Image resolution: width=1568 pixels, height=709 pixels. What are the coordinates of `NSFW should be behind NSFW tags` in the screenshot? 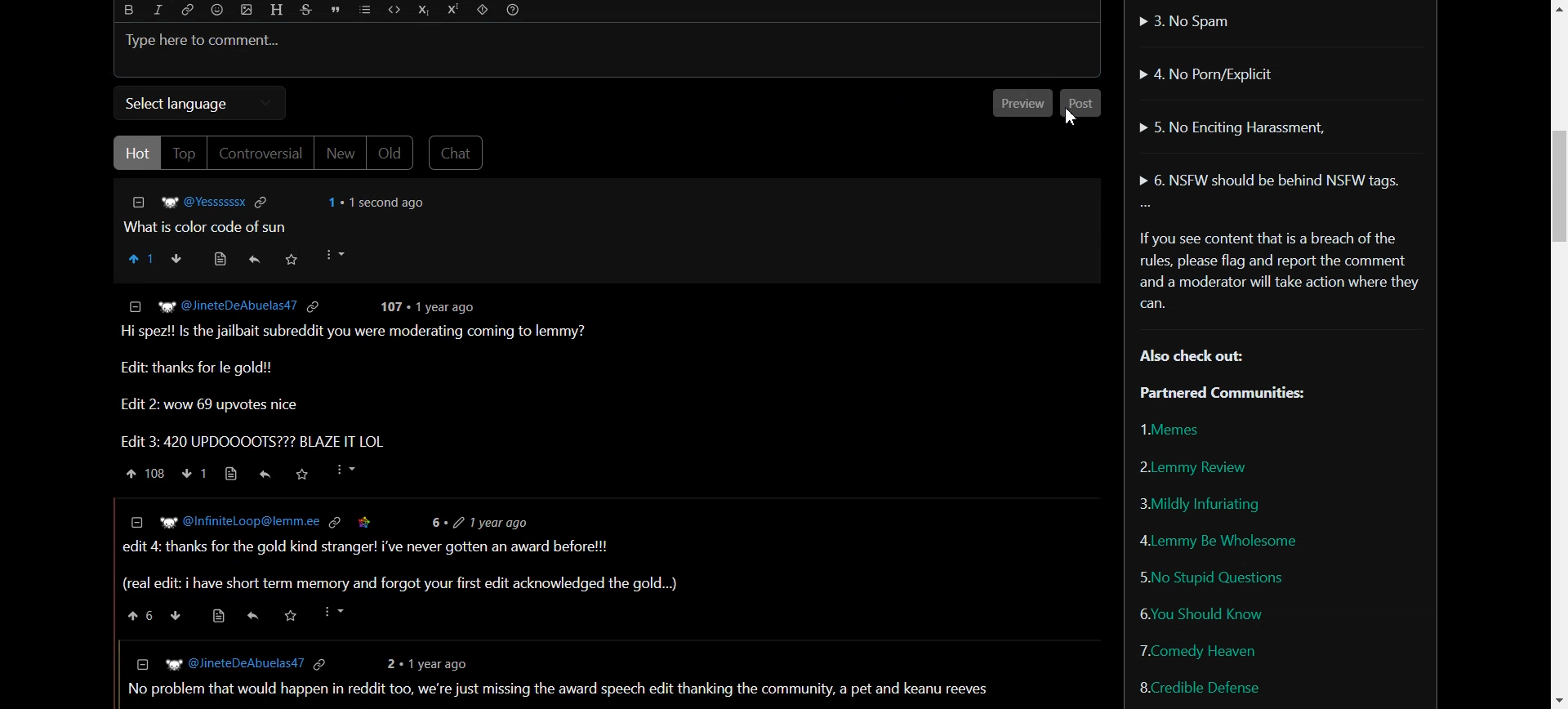 It's located at (1271, 177).